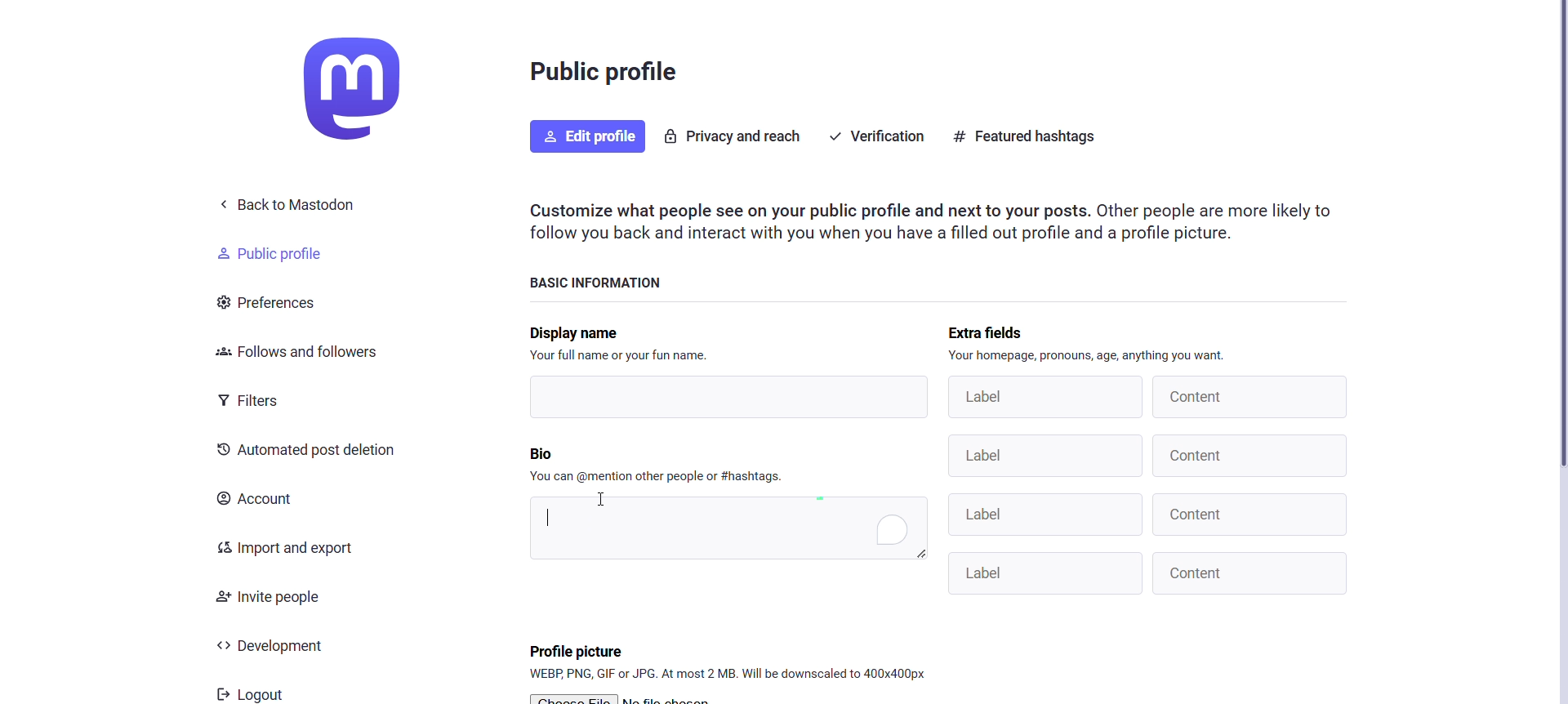 This screenshot has width=1568, height=704. Describe the element at coordinates (585, 136) in the screenshot. I see `Edit Profile` at that location.